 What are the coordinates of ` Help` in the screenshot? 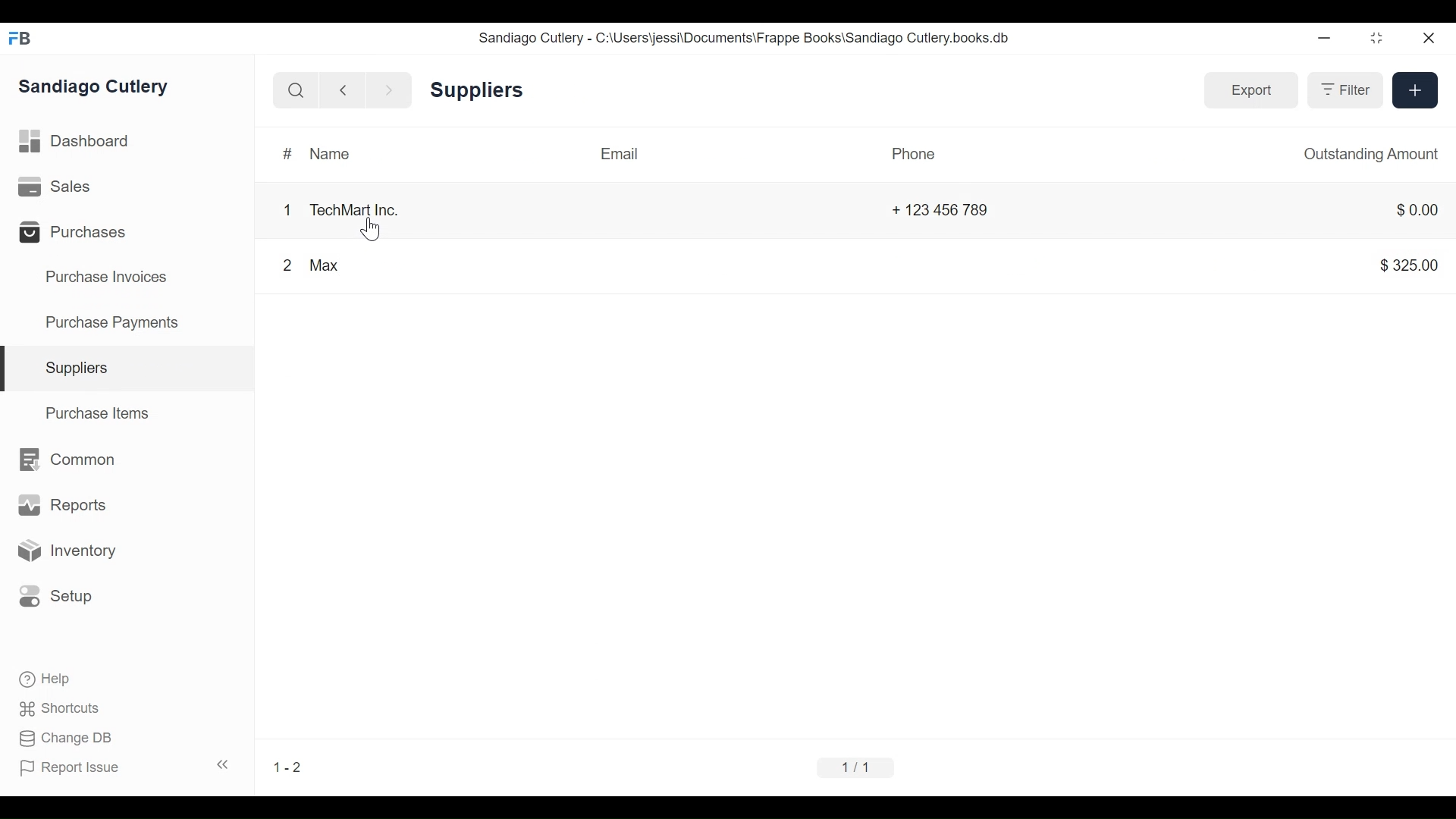 It's located at (51, 679).